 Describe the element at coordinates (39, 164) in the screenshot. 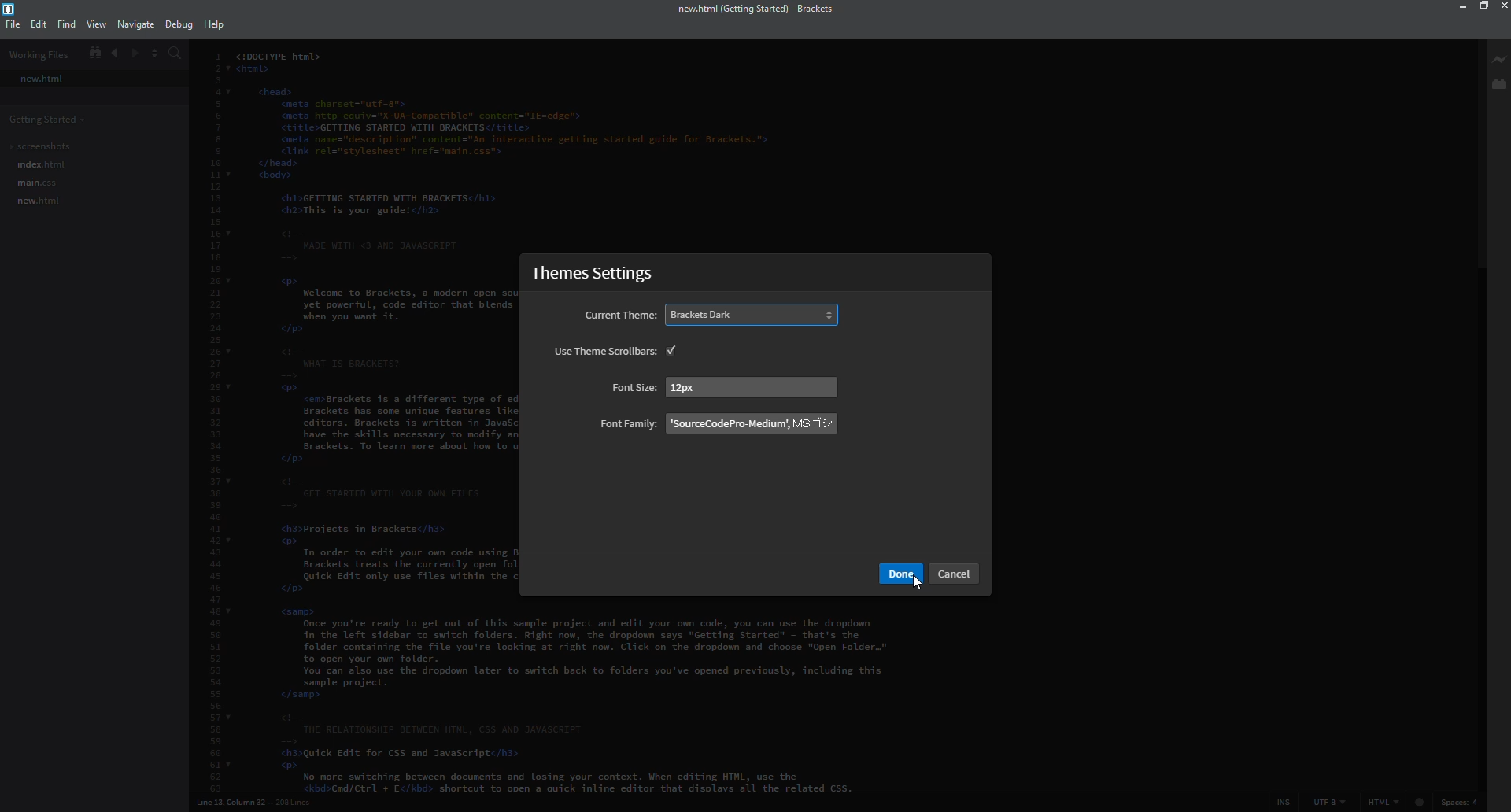

I see `index` at that location.